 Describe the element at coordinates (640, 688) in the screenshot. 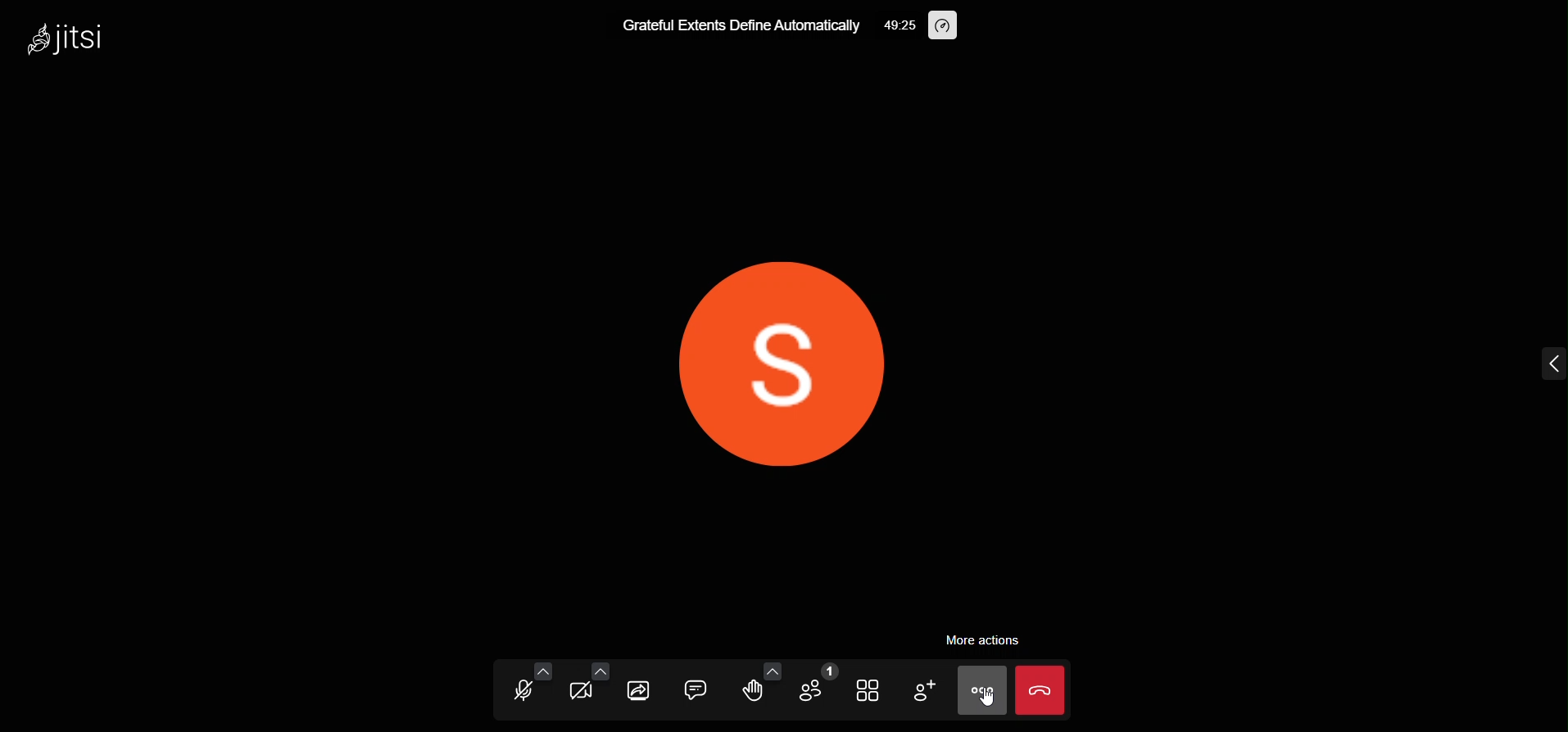

I see `screen share` at that location.